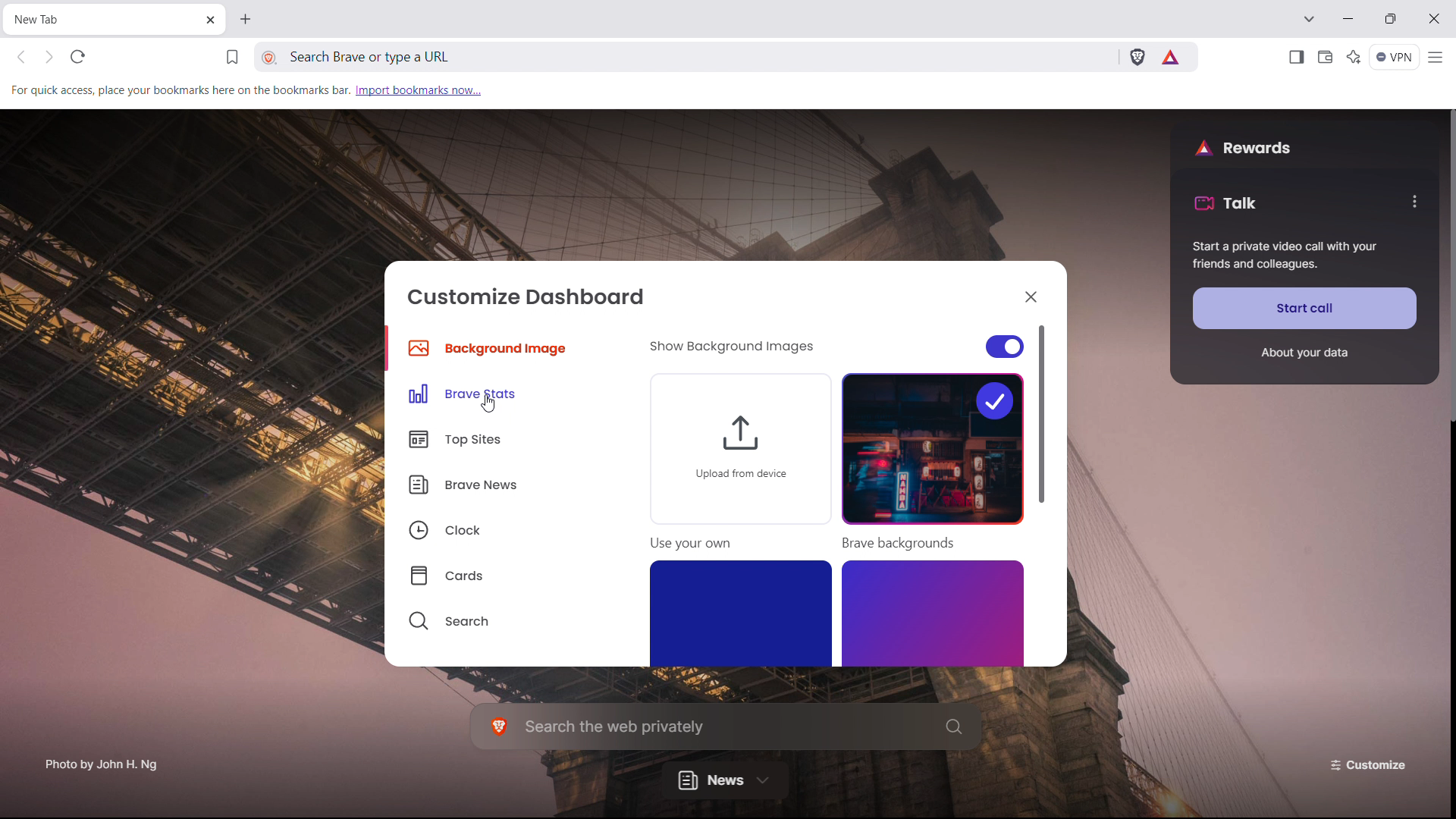  I want to click on wallet, so click(1324, 58).